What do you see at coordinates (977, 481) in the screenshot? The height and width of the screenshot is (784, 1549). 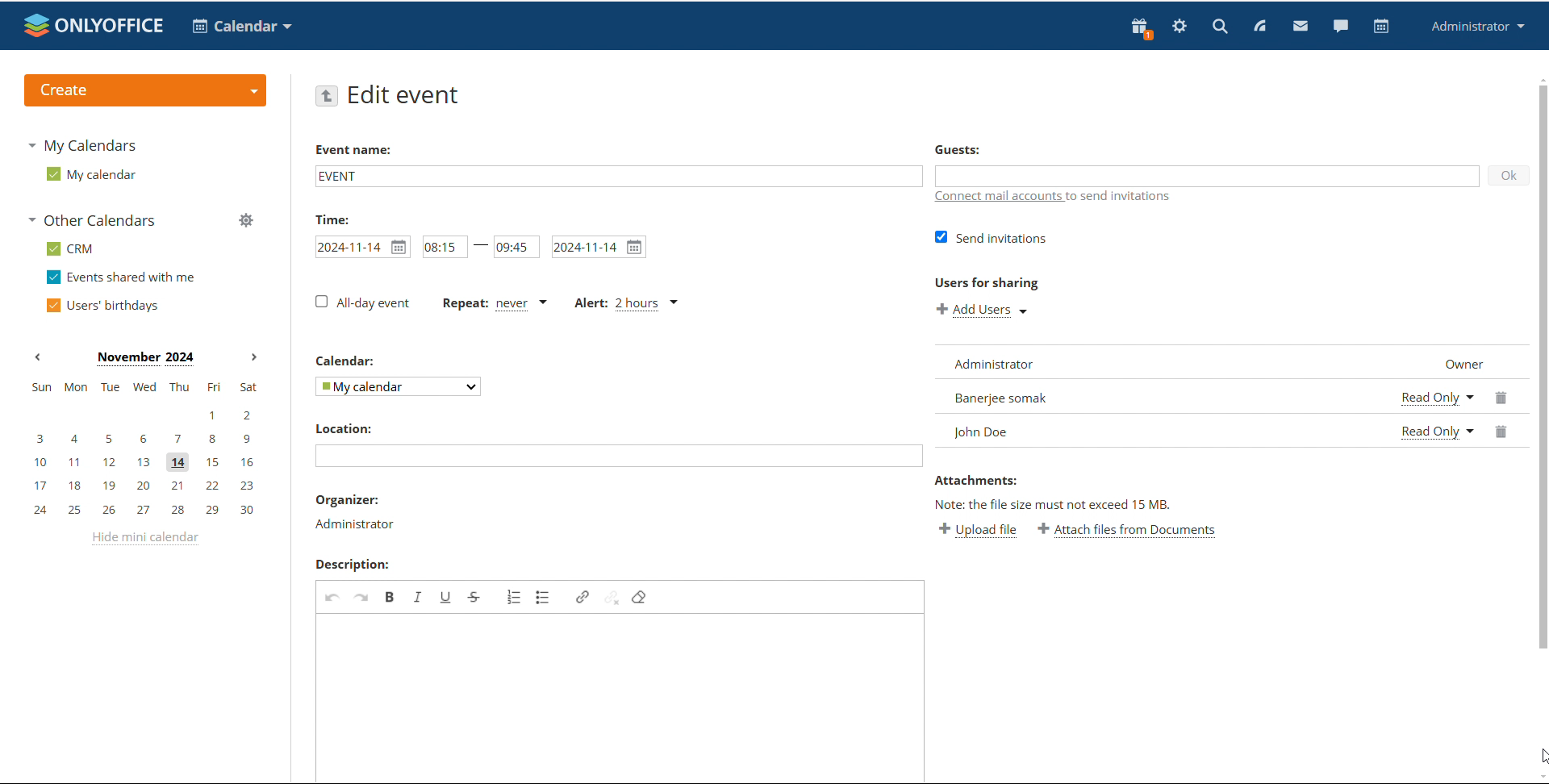 I see `Attachments` at bounding box center [977, 481].